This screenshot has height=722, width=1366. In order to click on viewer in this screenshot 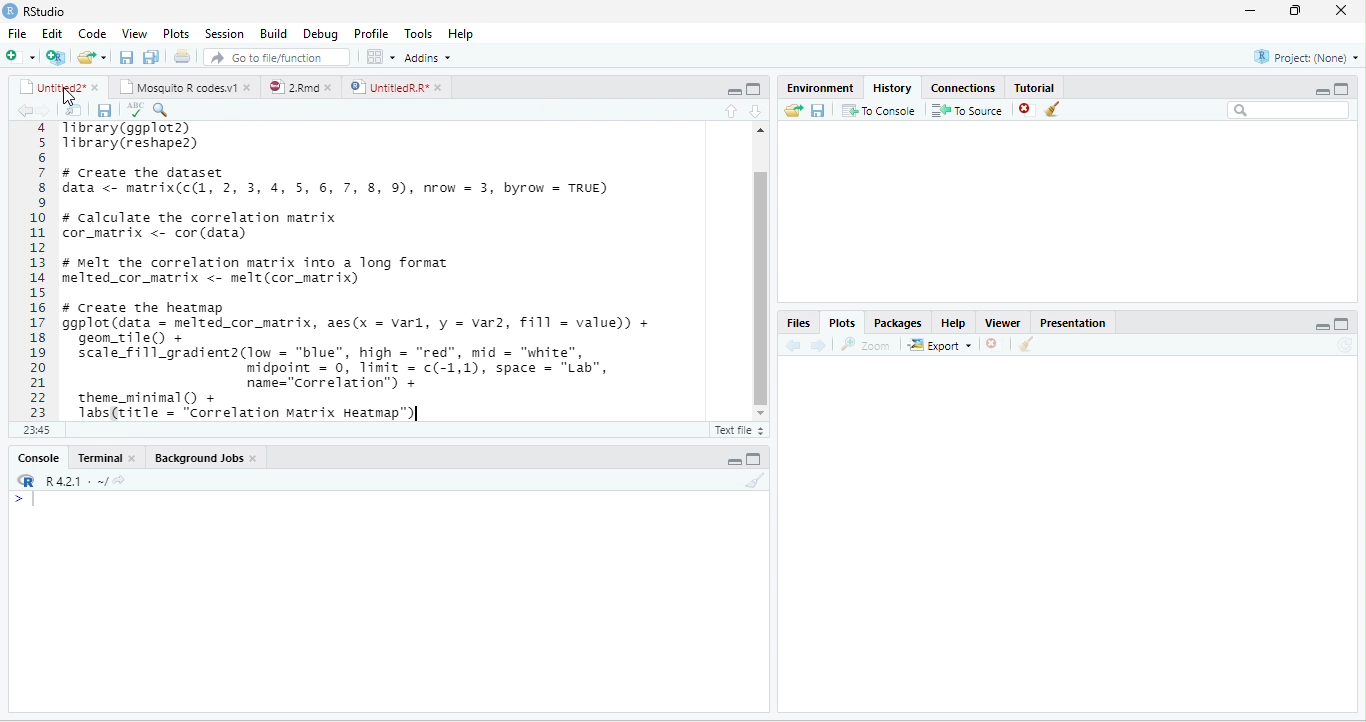, I will do `click(1001, 320)`.